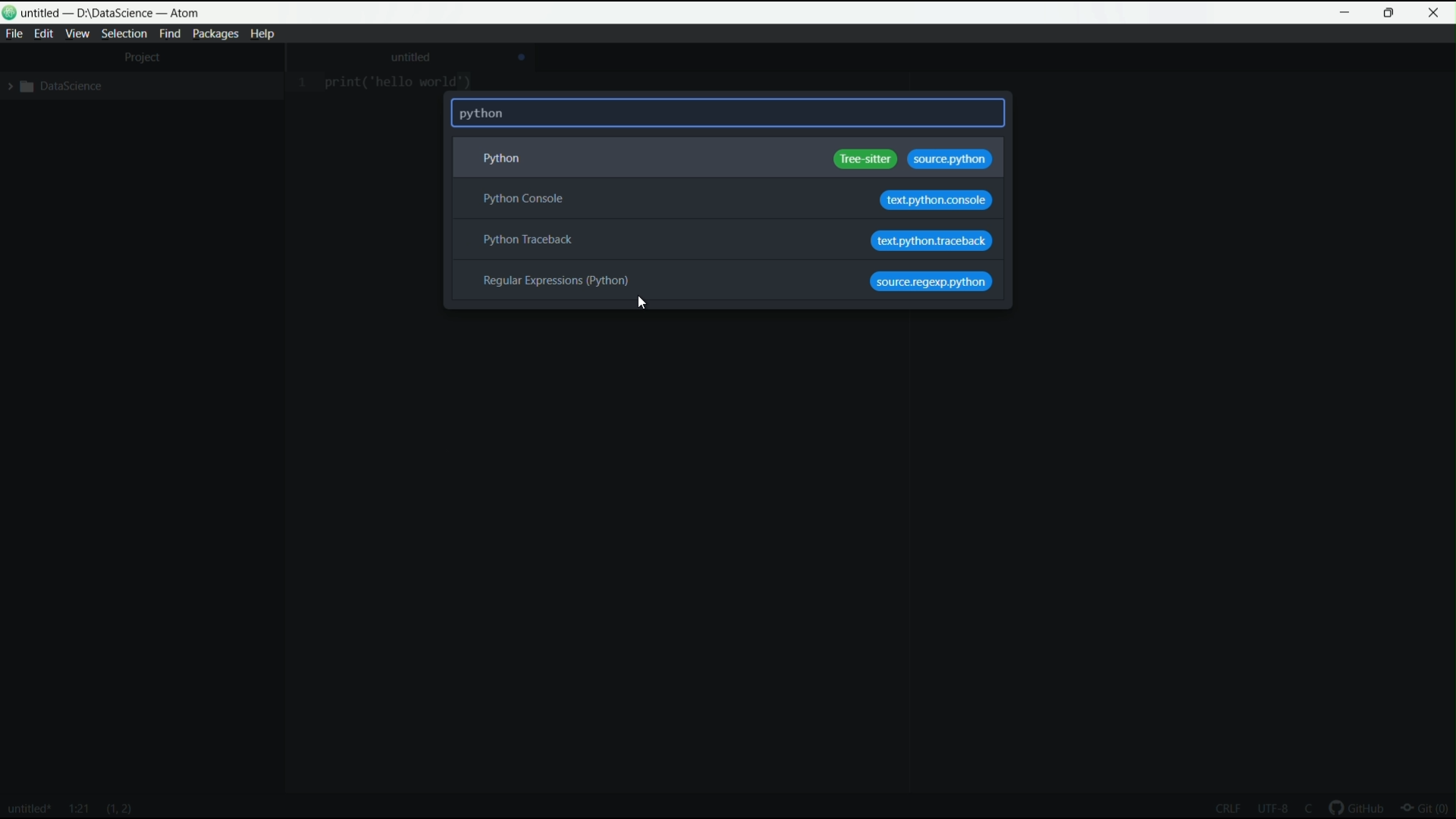 This screenshot has height=819, width=1456. Describe the element at coordinates (935, 202) in the screenshot. I see `text.python.console` at that location.